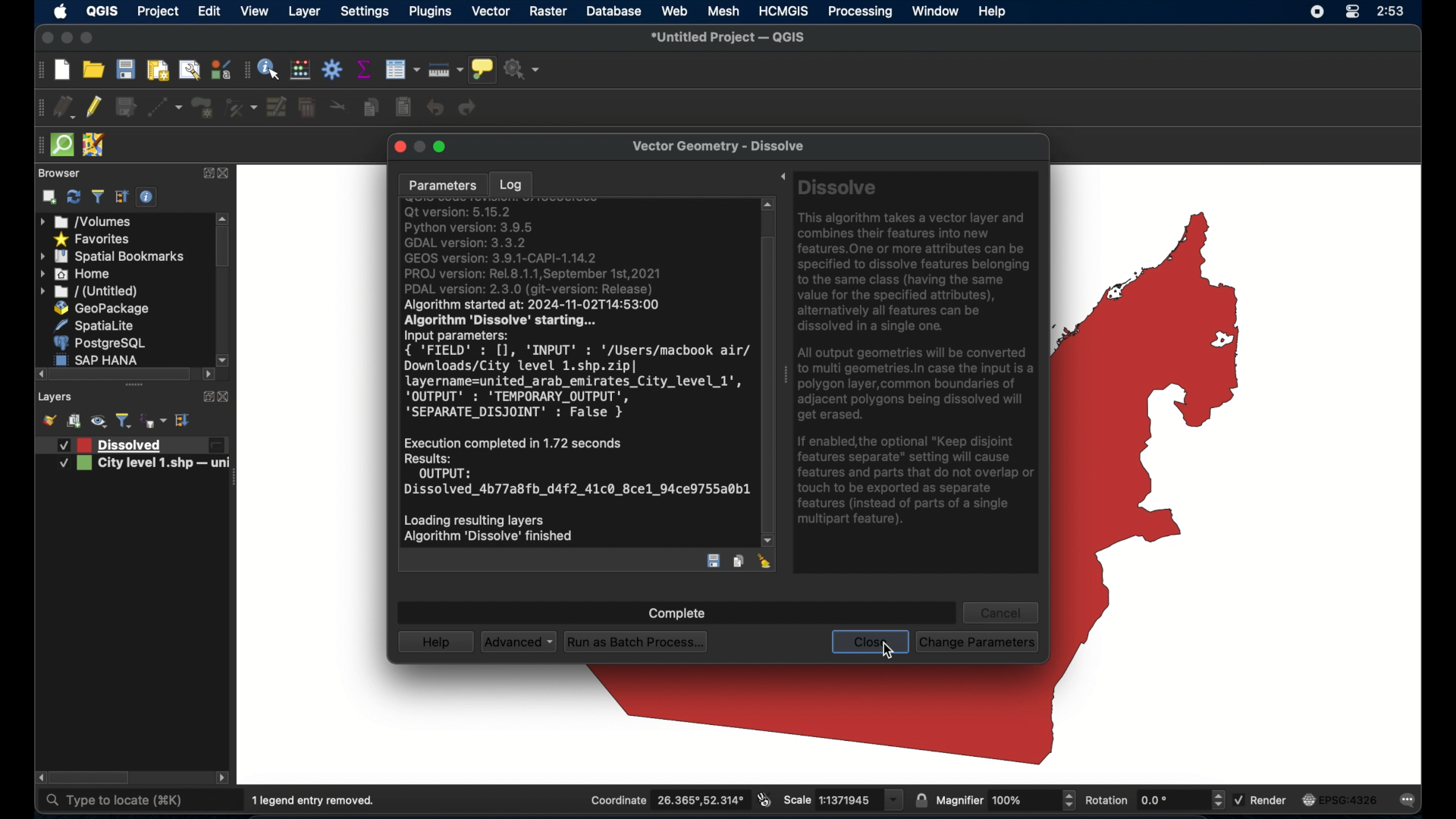 This screenshot has width=1456, height=819. I want to click on database, so click(615, 11).